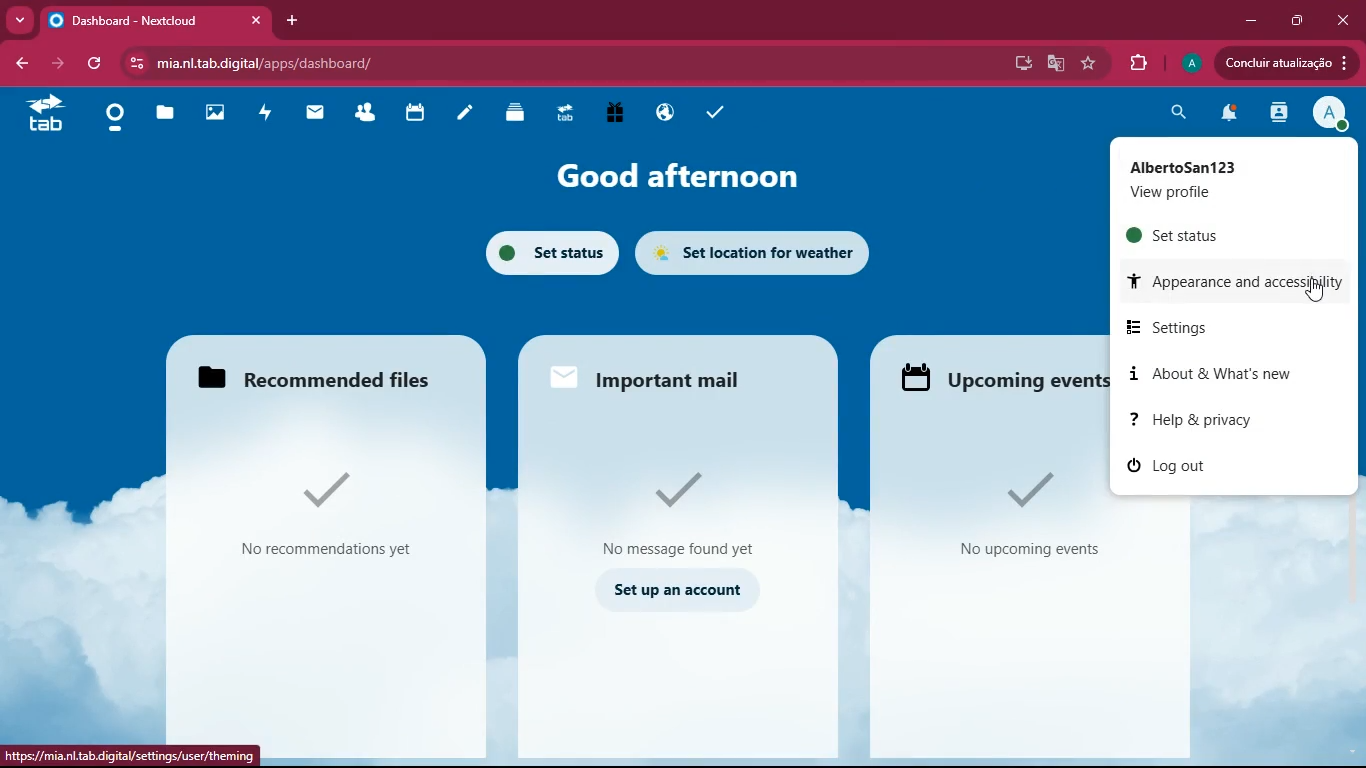 Image resolution: width=1366 pixels, height=768 pixels. What do you see at coordinates (674, 594) in the screenshot?
I see `set up` at bounding box center [674, 594].